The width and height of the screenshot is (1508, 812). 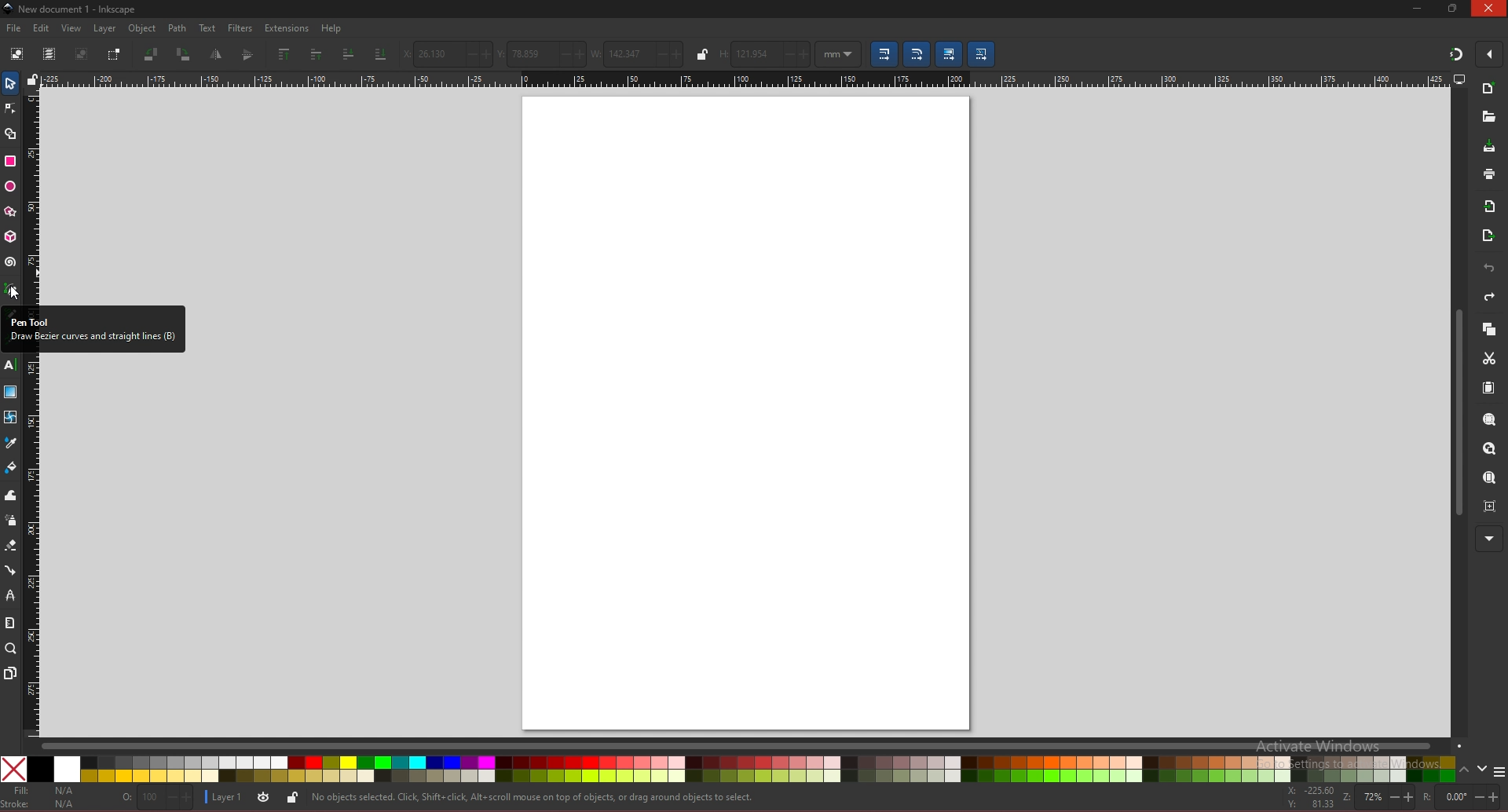 I want to click on view, so click(x=72, y=28).